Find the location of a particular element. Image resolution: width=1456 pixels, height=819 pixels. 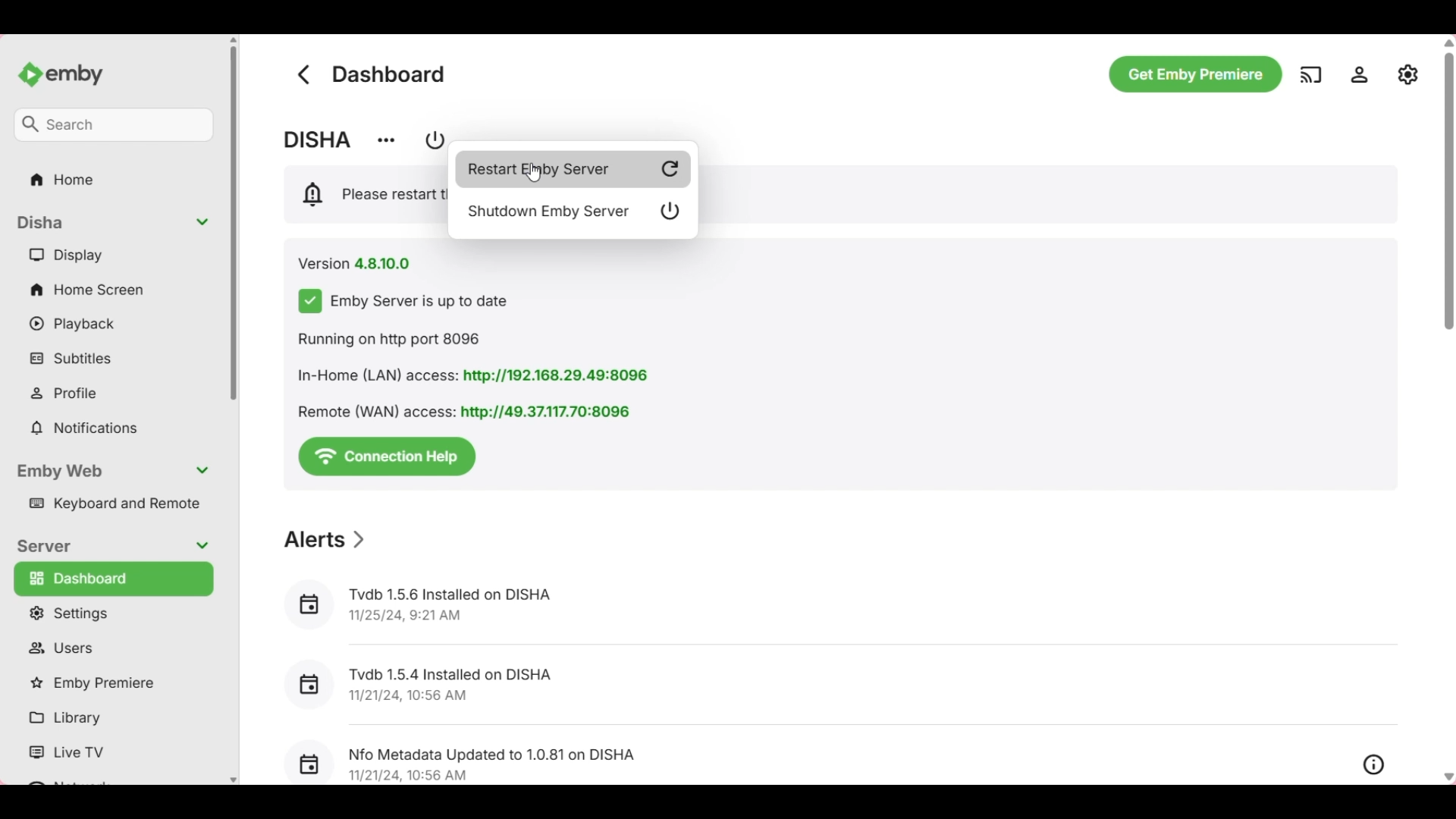

Section title is located at coordinates (326, 539).